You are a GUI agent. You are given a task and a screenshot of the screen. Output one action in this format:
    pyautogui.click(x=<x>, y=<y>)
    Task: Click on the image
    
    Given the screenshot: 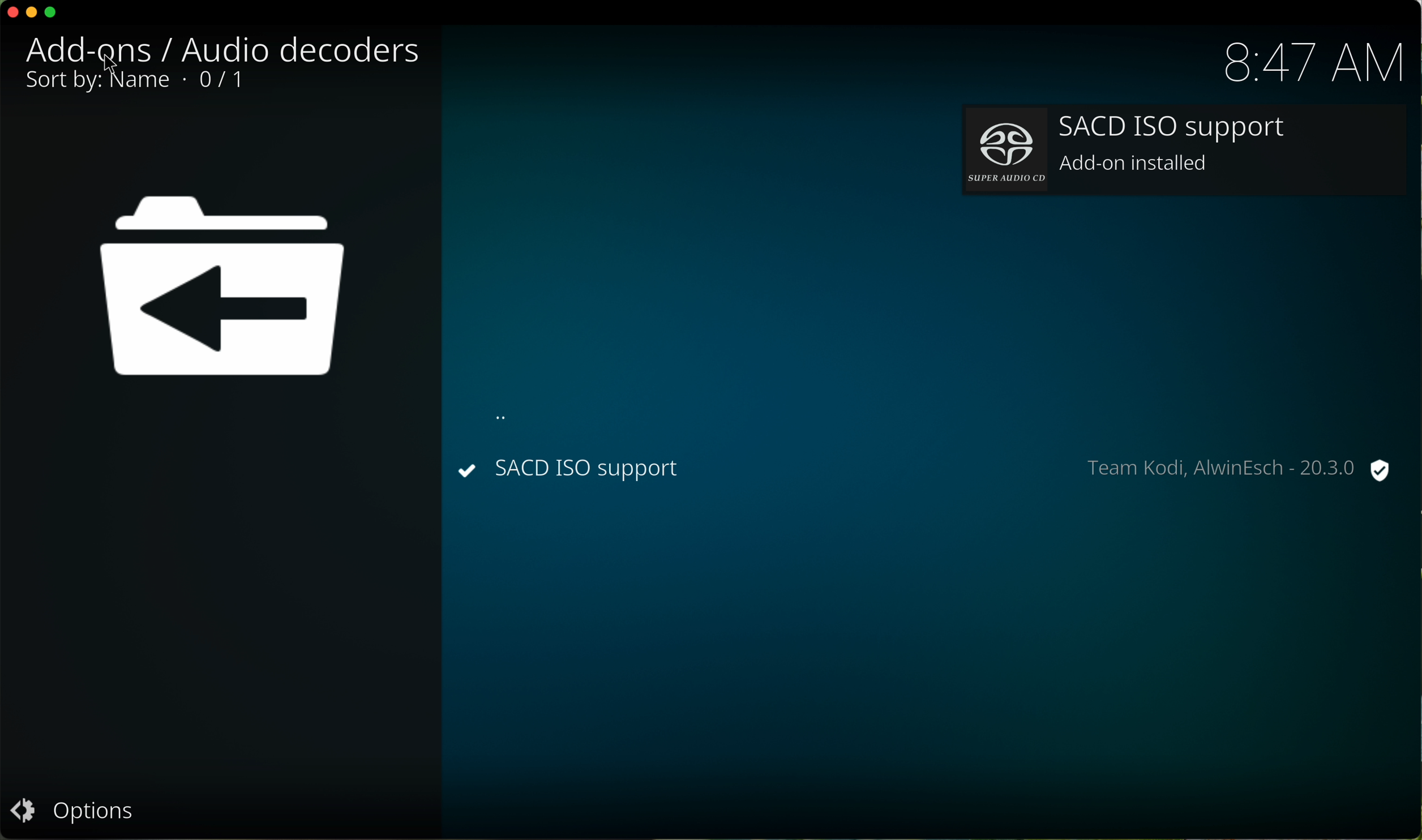 What is the action you would take?
    pyautogui.click(x=224, y=283)
    